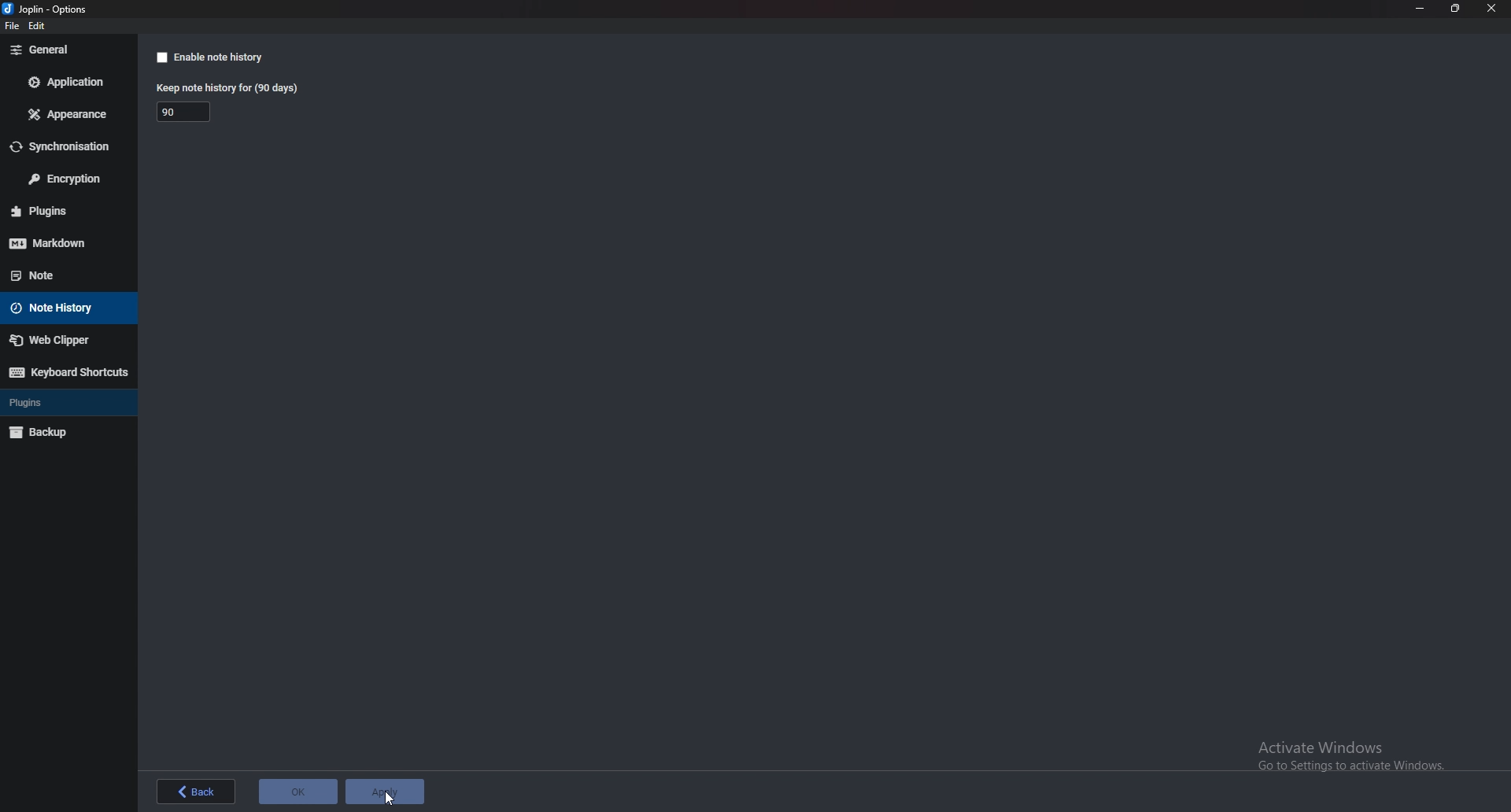  What do you see at coordinates (11, 27) in the screenshot?
I see `file` at bounding box center [11, 27].